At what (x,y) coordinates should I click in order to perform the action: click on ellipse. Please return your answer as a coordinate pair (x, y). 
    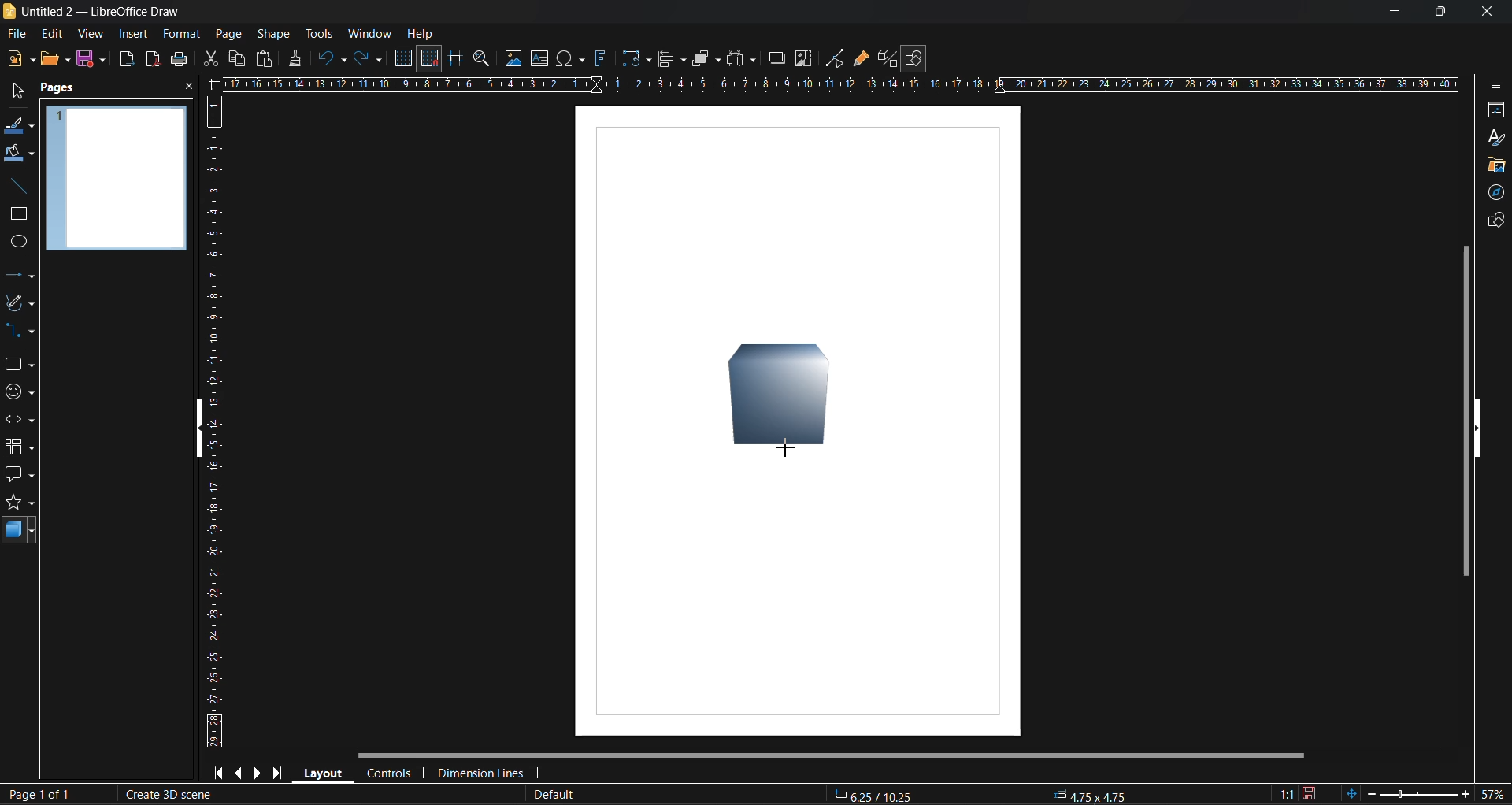
    Looking at the image, I should click on (19, 243).